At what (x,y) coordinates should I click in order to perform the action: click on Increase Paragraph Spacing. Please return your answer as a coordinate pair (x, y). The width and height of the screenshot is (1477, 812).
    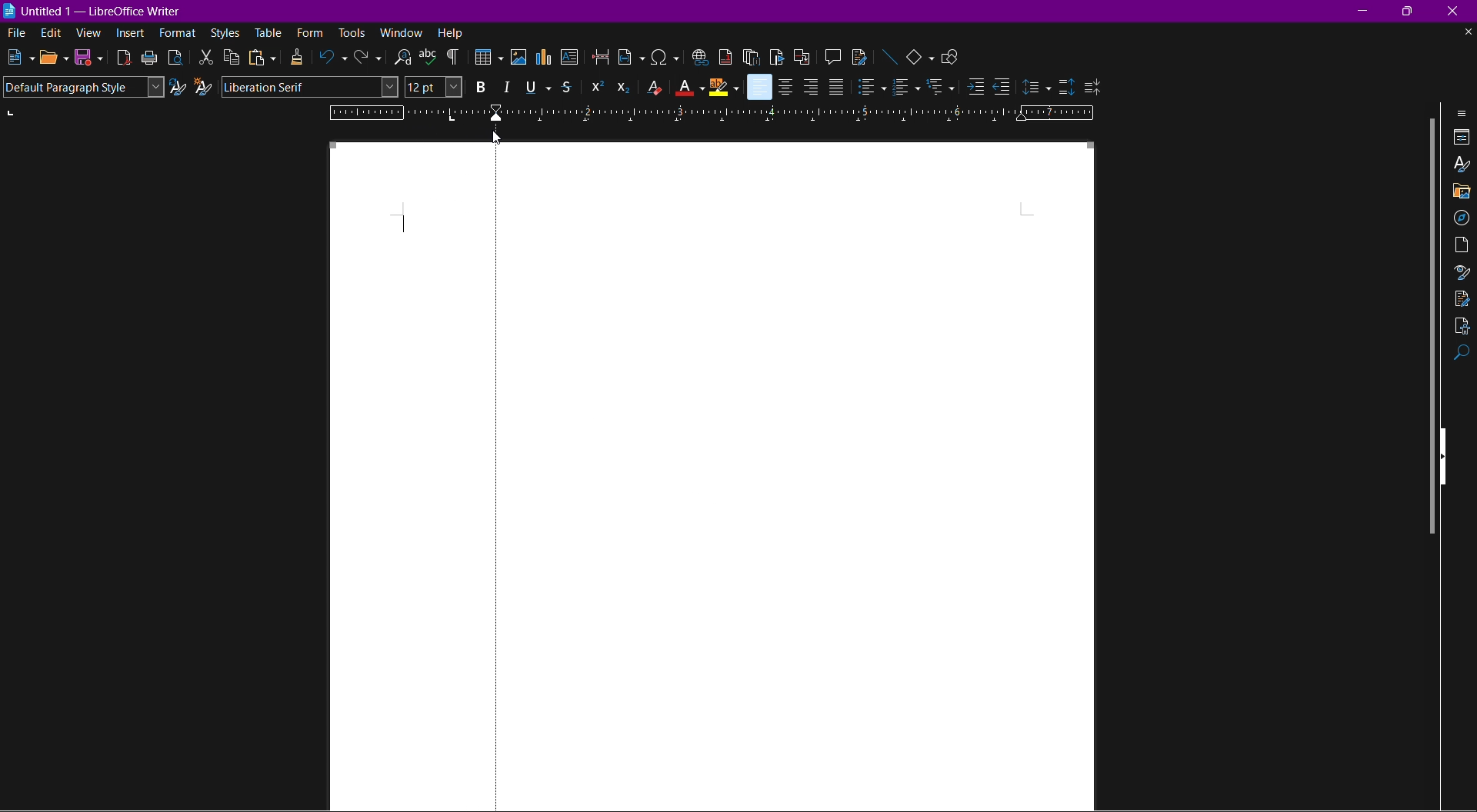
    Looking at the image, I should click on (1065, 84).